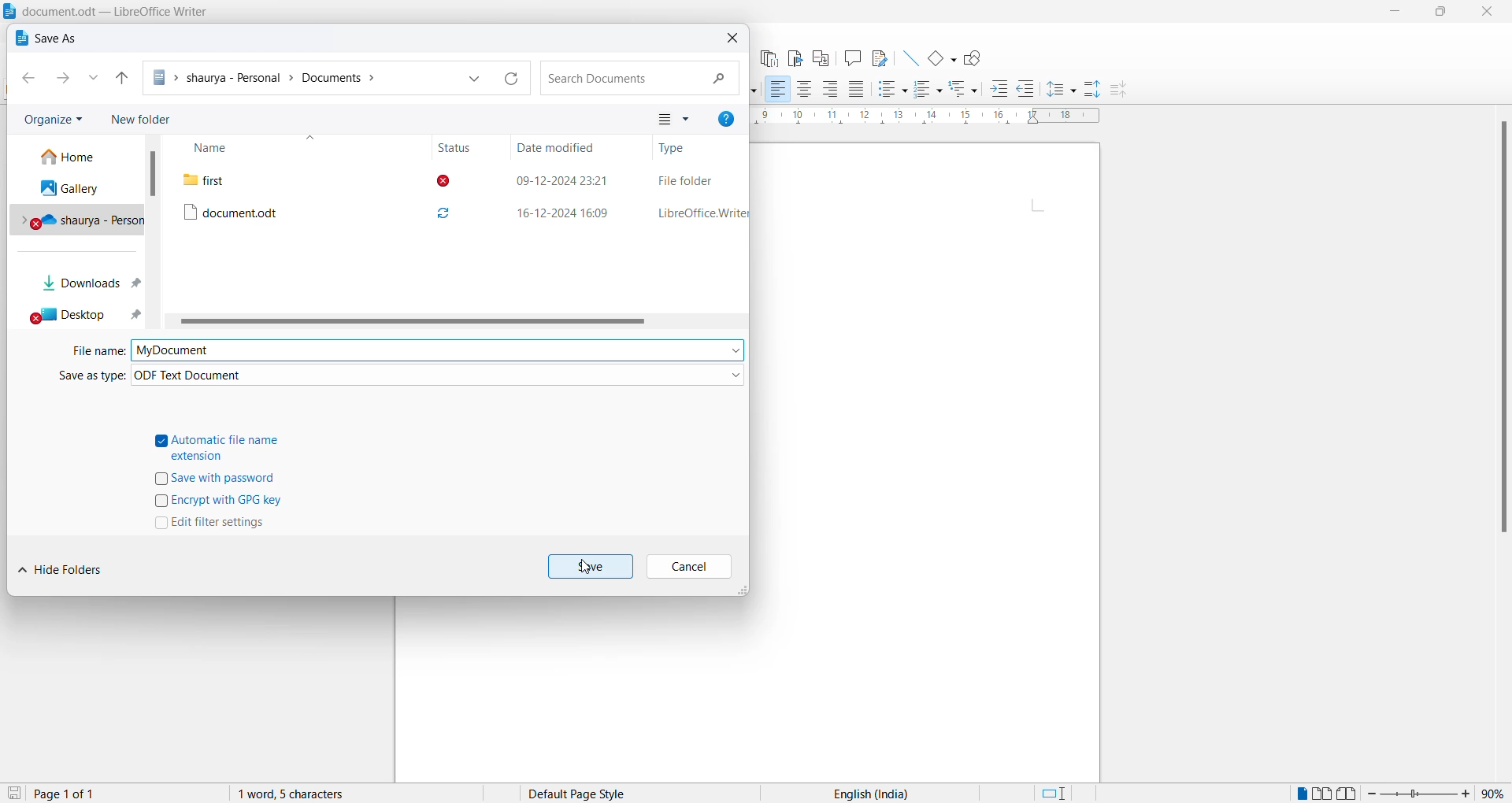 The width and height of the screenshot is (1512, 803). What do you see at coordinates (927, 117) in the screenshot?
I see `ruler` at bounding box center [927, 117].